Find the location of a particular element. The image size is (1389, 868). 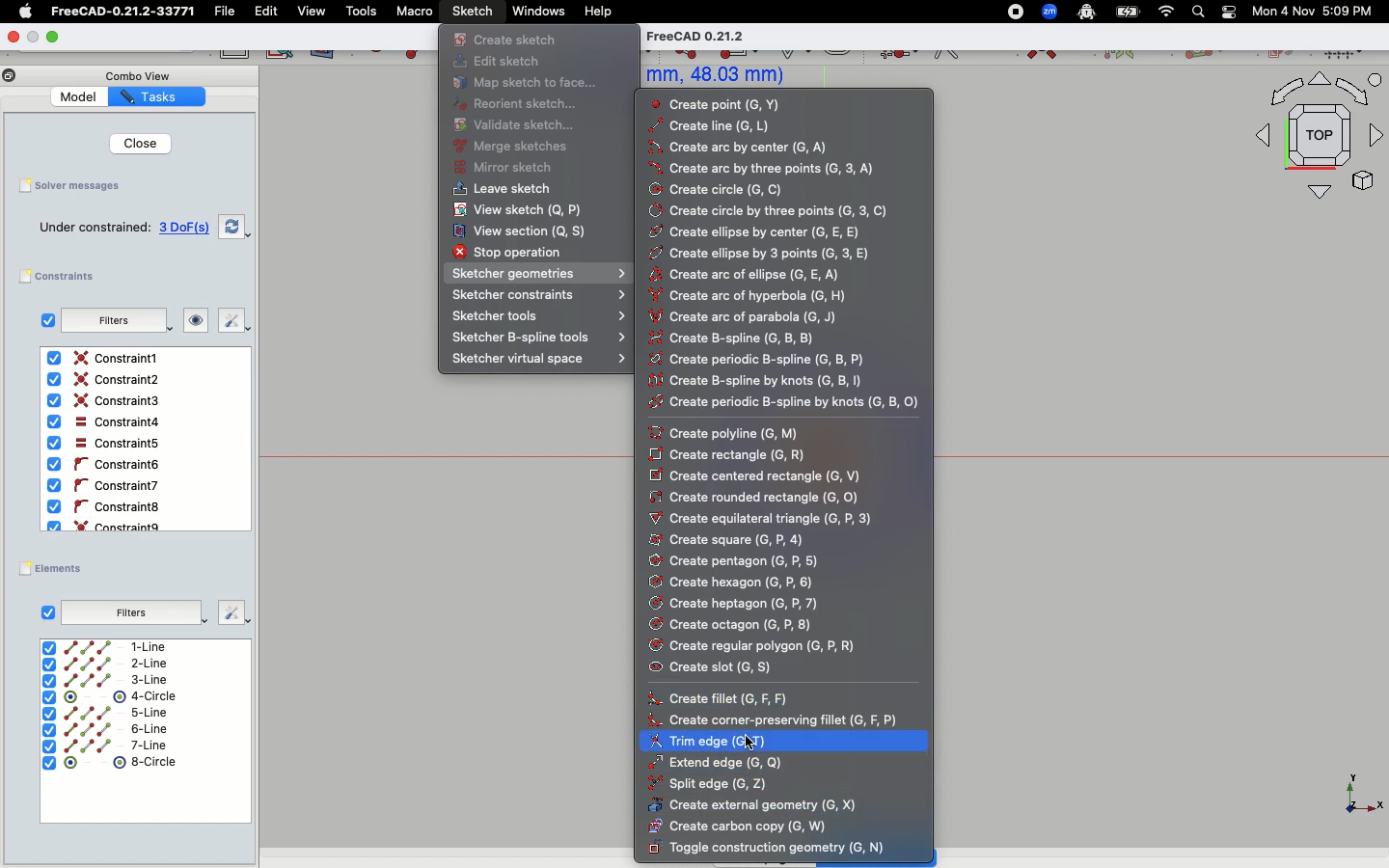

Create pentagon is located at coordinates (734, 560).